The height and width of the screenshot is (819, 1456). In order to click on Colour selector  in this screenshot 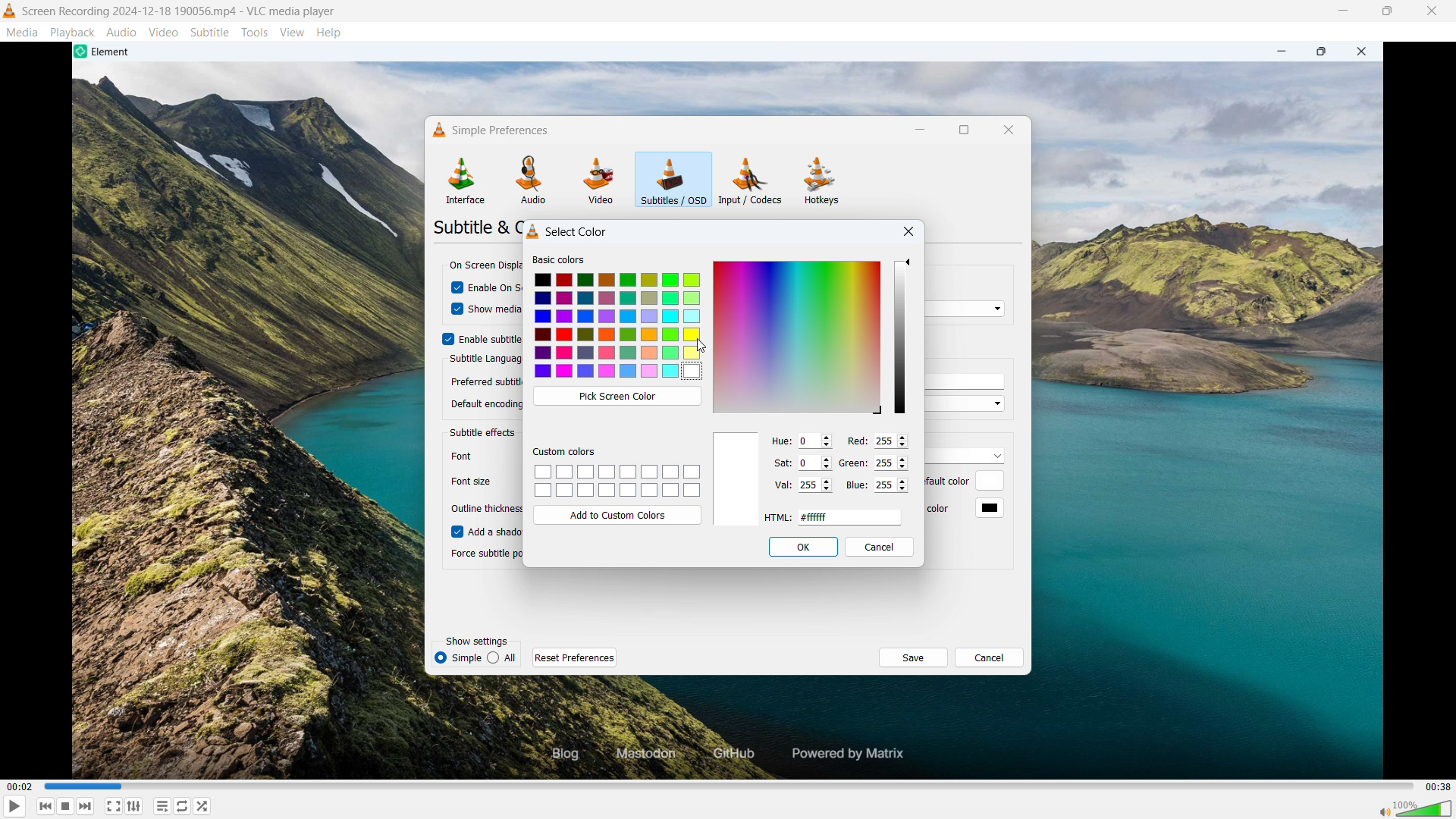, I will do `click(797, 337)`.